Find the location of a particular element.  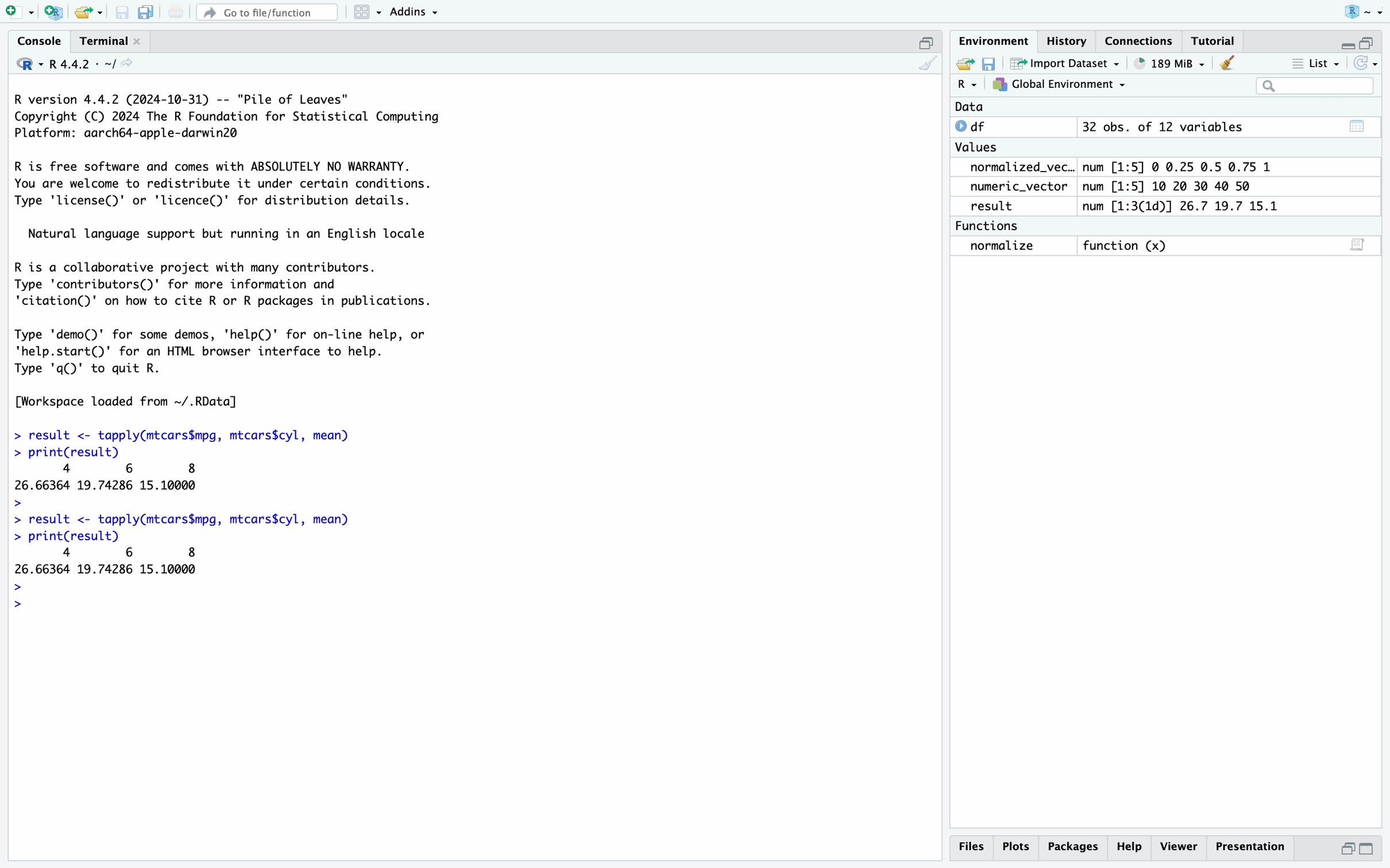

Viewer is located at coordinates (1179, 847).